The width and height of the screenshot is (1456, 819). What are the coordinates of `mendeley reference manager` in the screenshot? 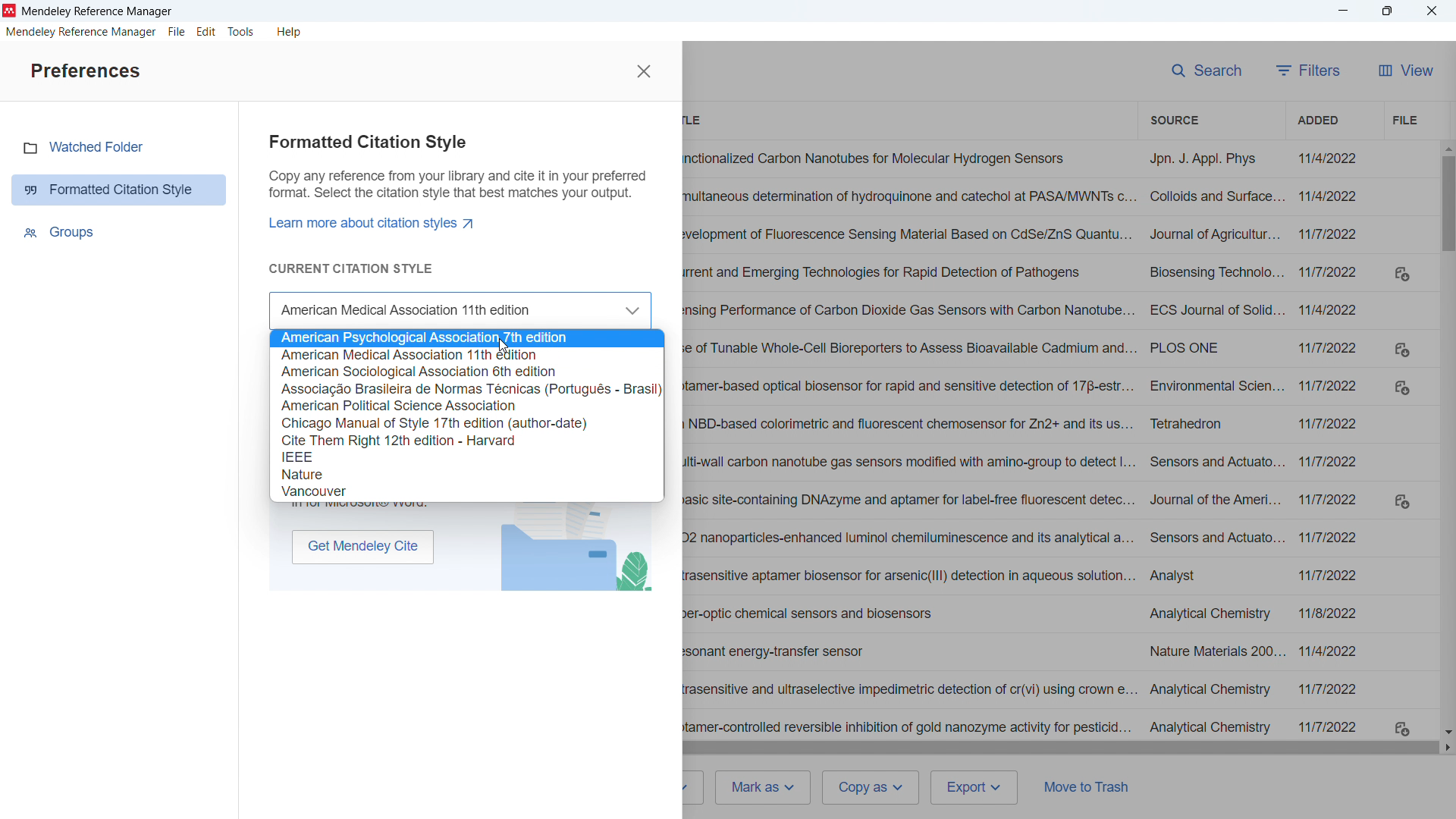 It's located at (80, 32).